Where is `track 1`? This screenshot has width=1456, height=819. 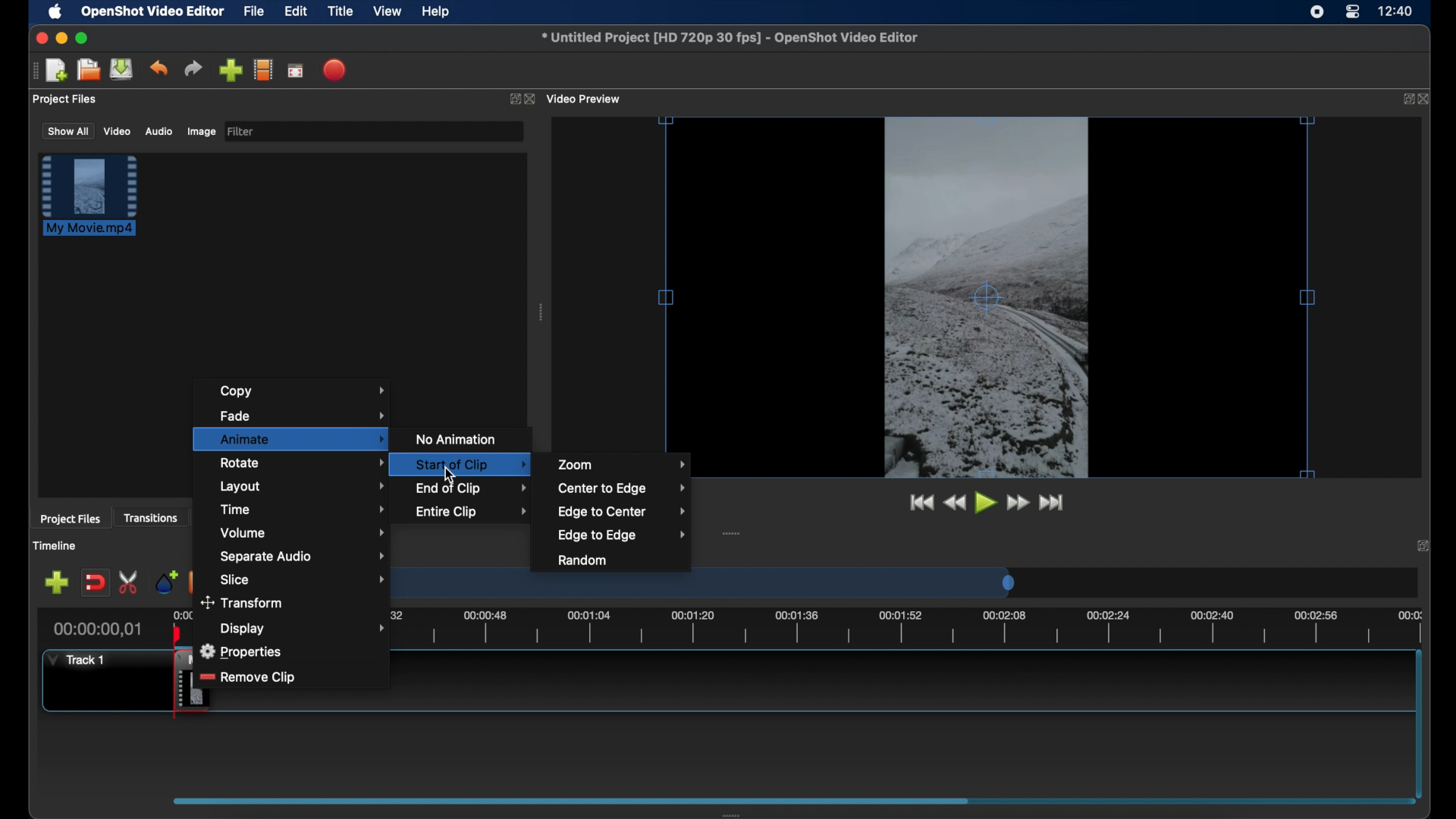 track 1 is located at coordinates (74, 660).